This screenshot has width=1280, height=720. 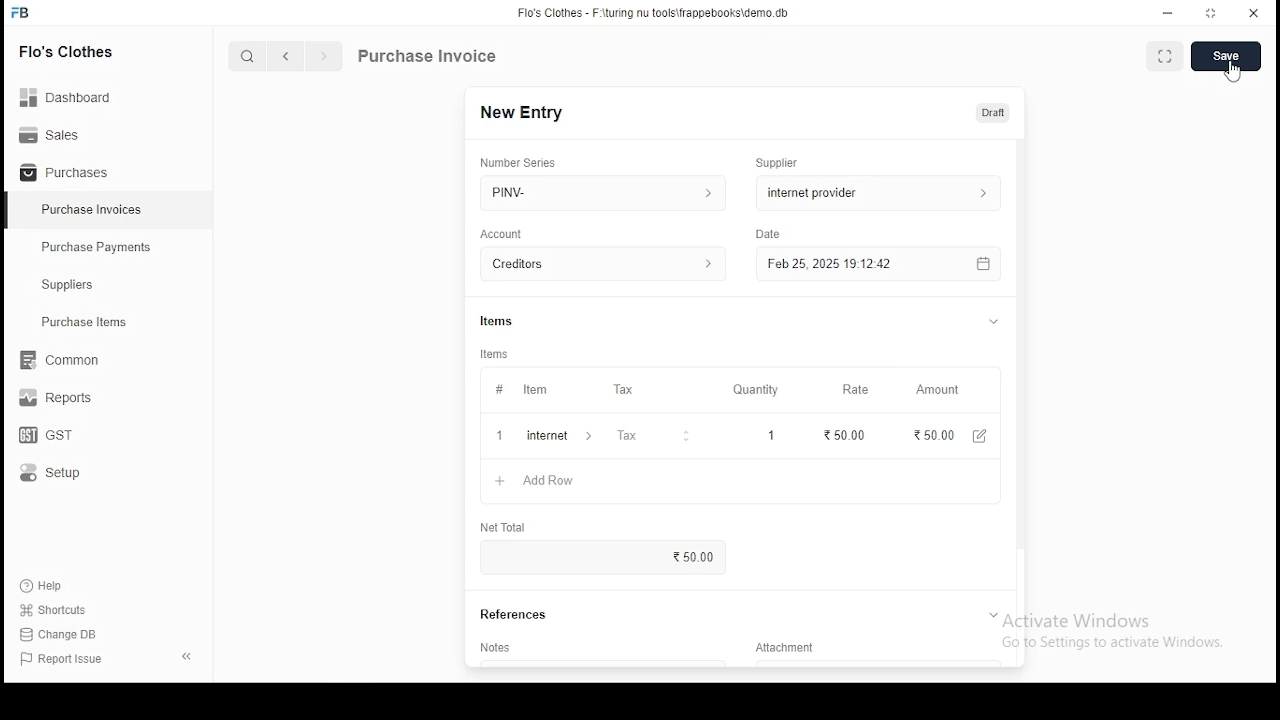 I want to click on feb 25, 2025 19:12:42, so click(x=877, y=264).